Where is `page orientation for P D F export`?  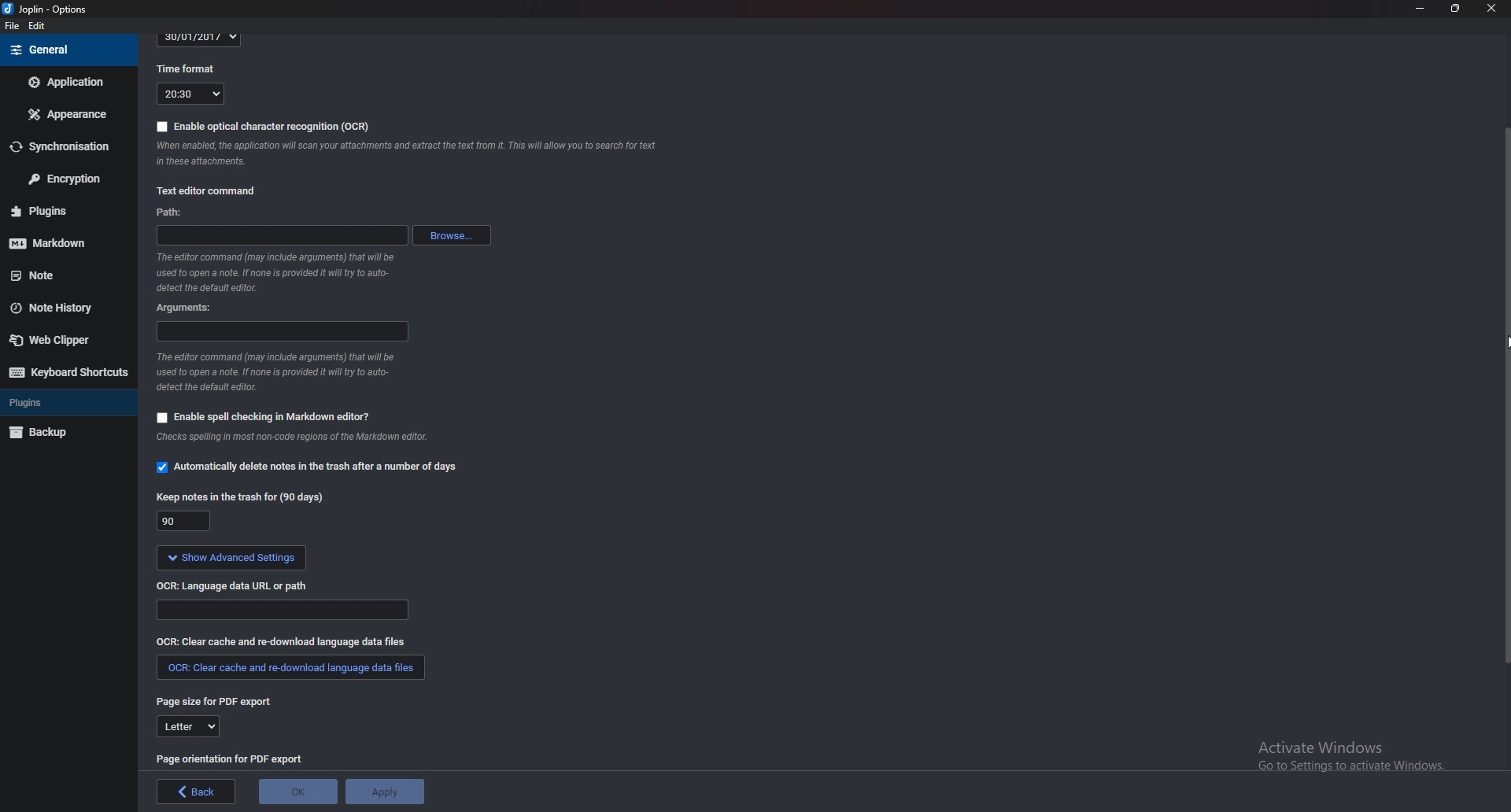
page orientation for P D F export is located at coordinates (232, 758).